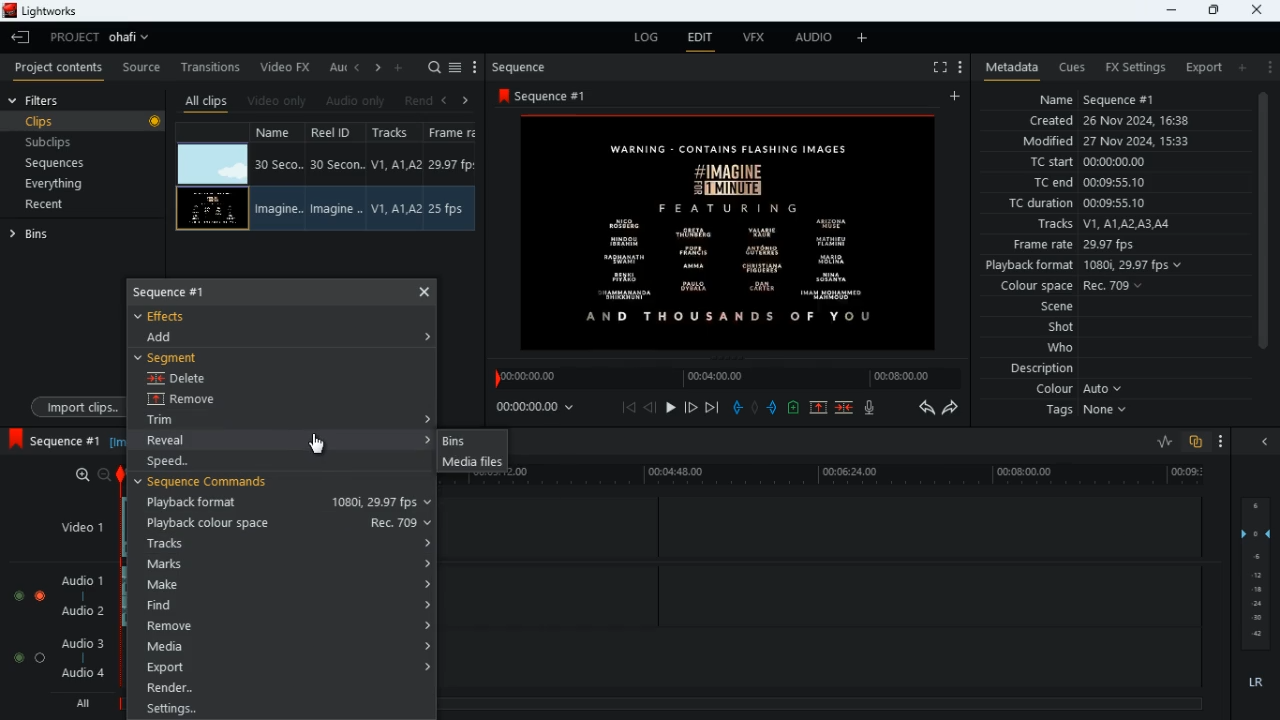  What do you see at coordinates (450, 99) in the screenshot?
I see `left` at bounding box center [450, 99].